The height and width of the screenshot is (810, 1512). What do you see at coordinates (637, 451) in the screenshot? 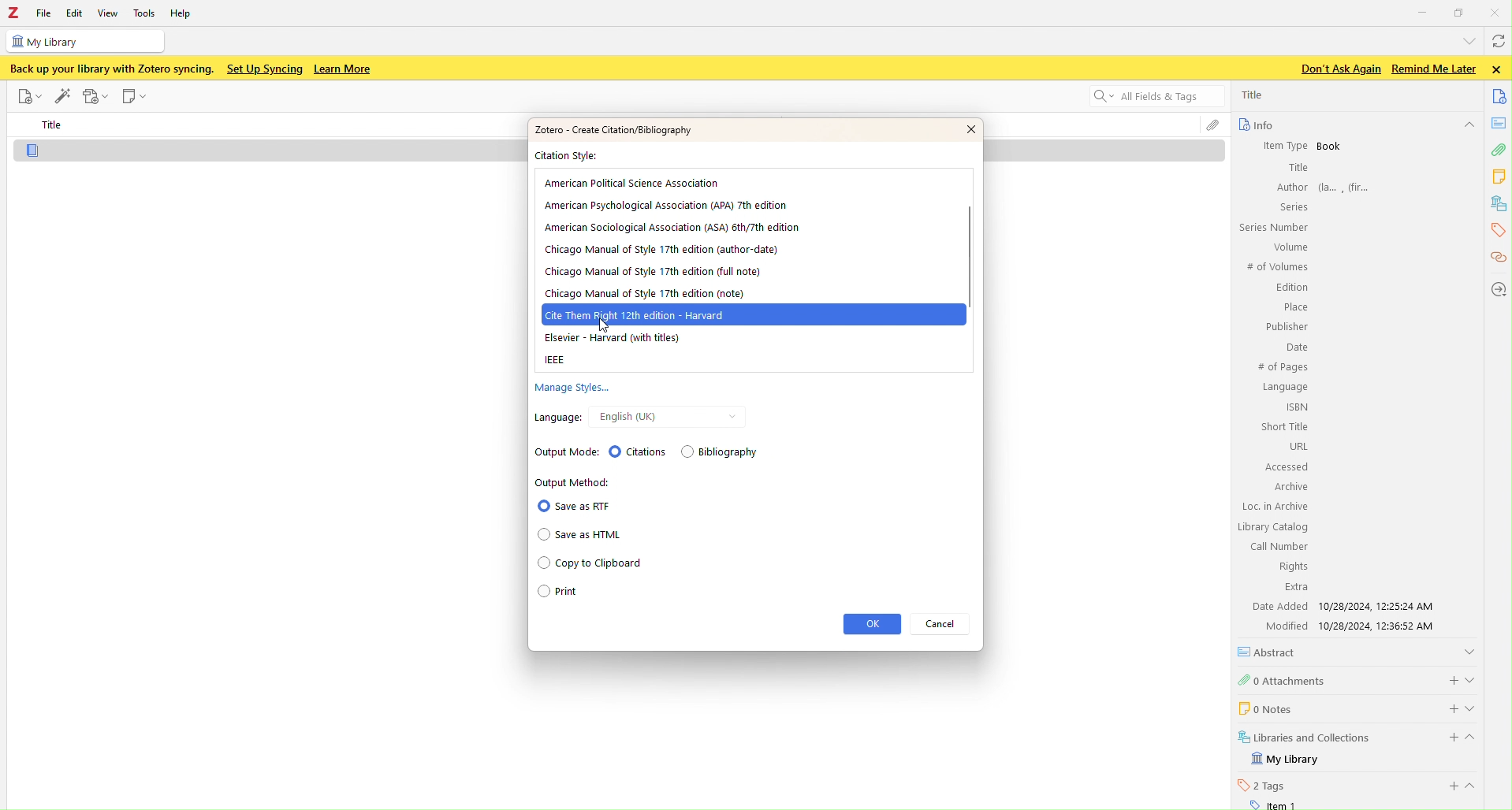
I see `Citations` at bounding box center [637, 451].